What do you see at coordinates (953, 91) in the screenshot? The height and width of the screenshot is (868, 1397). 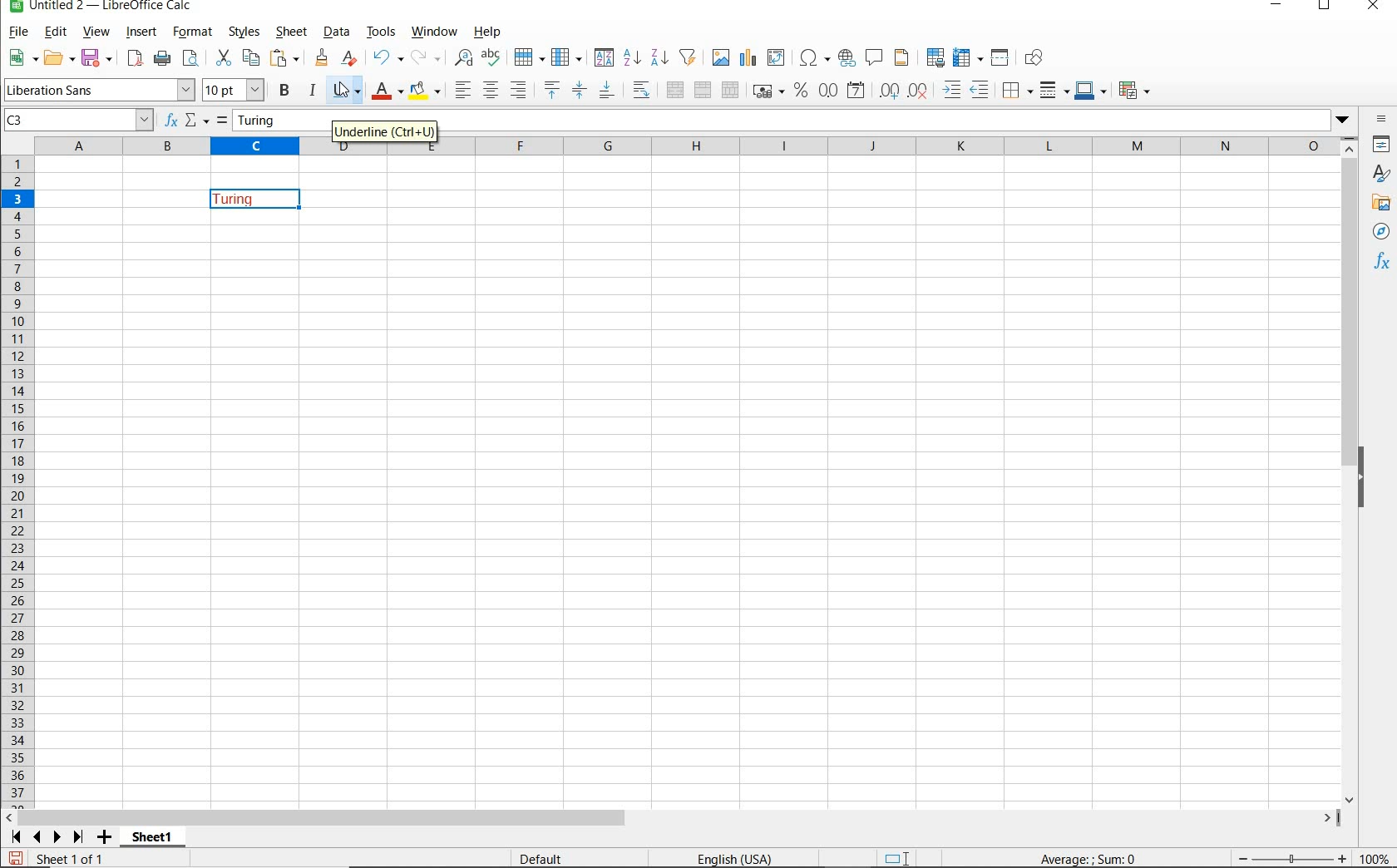 I see `INCREASE INDENT` at bounding box center [953, 91].